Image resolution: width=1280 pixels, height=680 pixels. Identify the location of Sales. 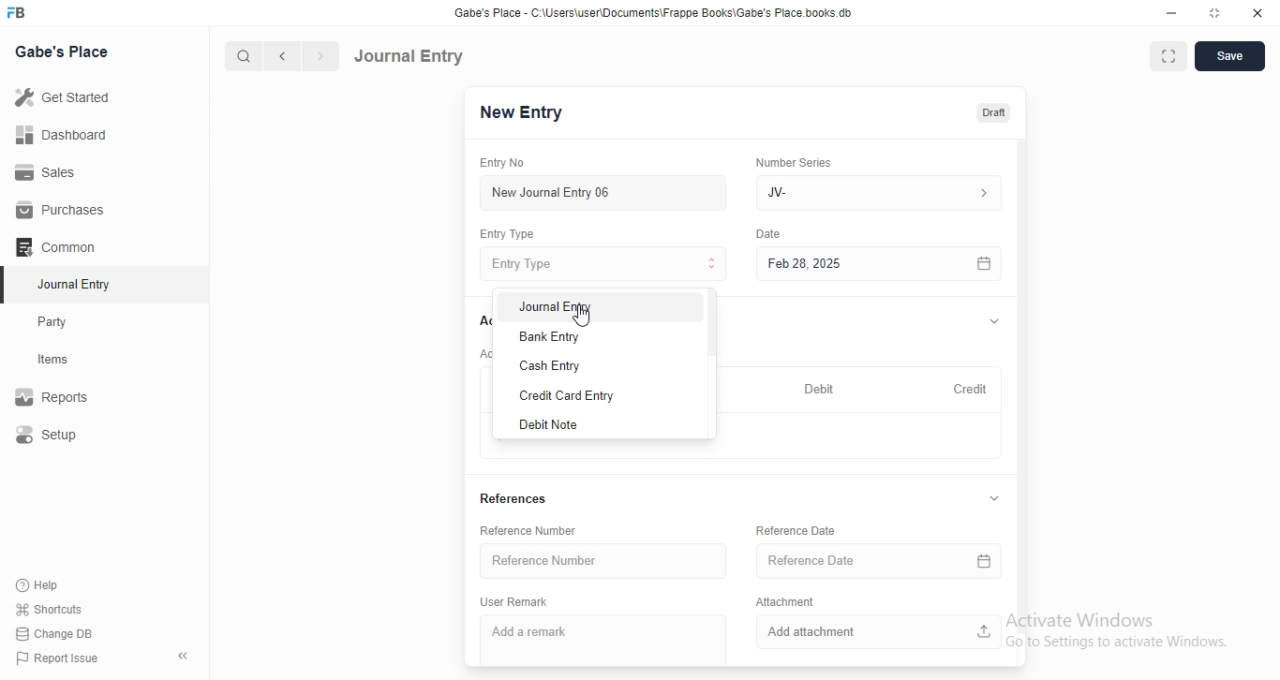
(64, 171).